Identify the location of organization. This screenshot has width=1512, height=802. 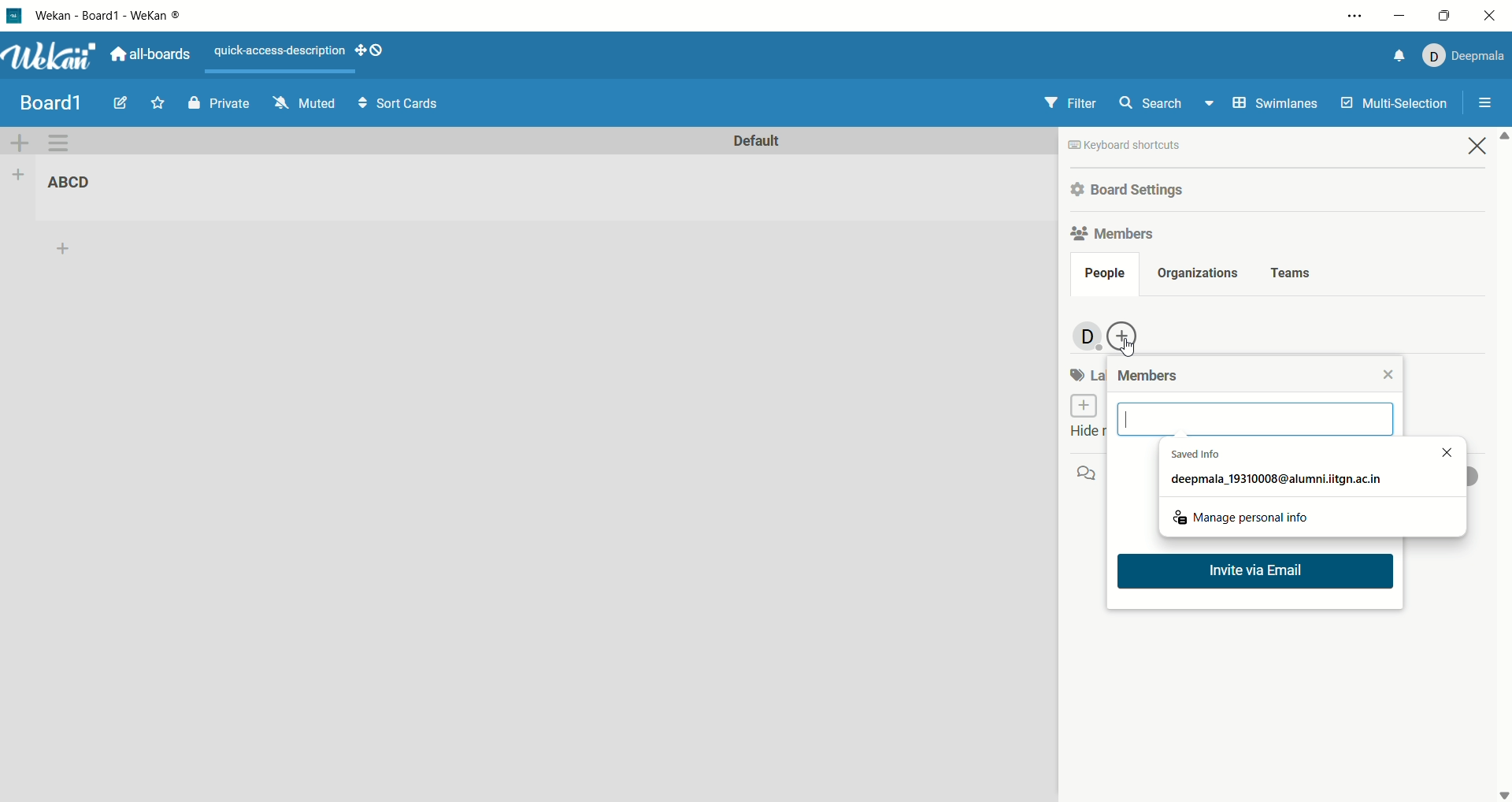
(1195, 274).